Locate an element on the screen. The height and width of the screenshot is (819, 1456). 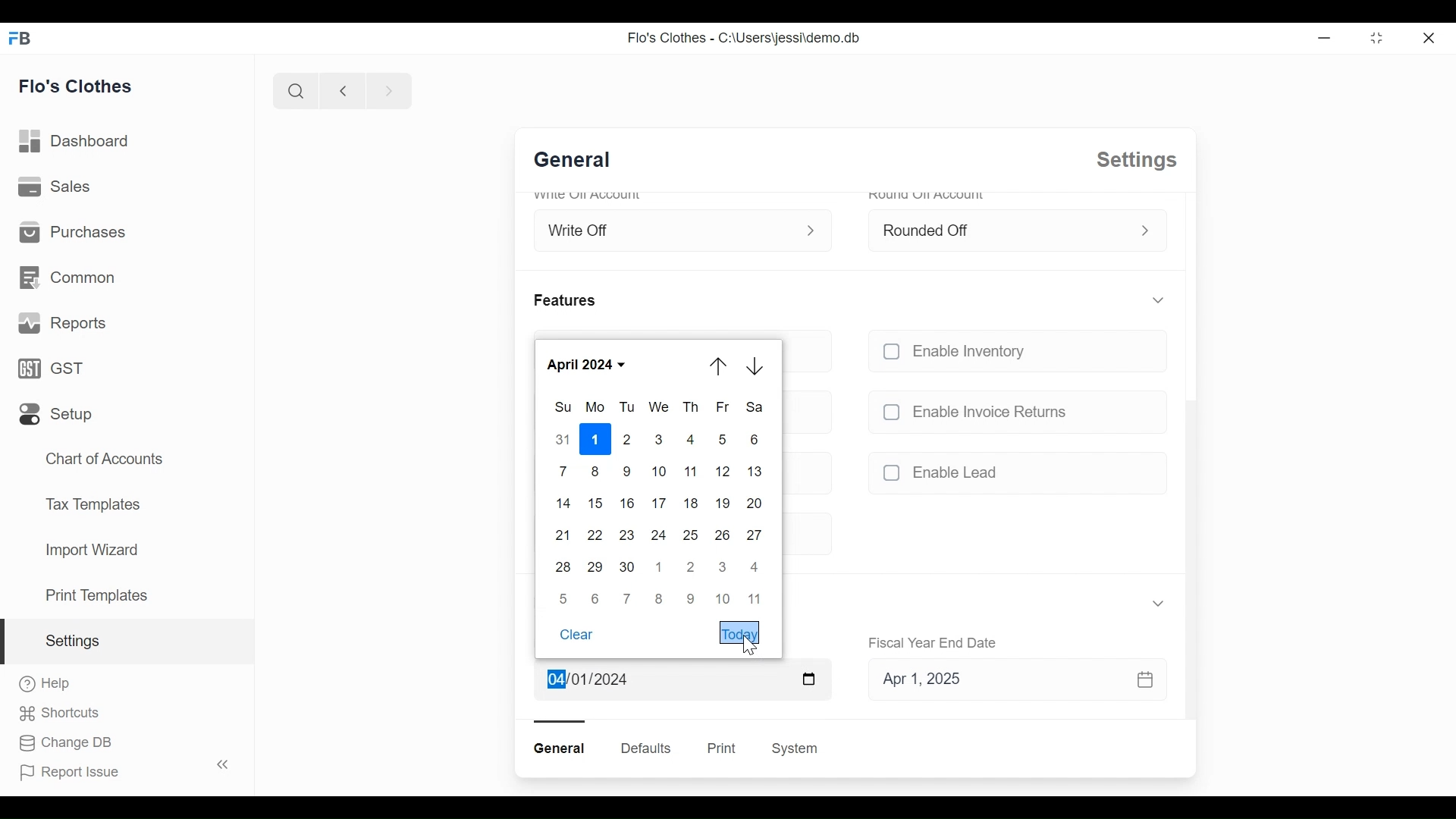
16 is located at coordinates (626, 503).